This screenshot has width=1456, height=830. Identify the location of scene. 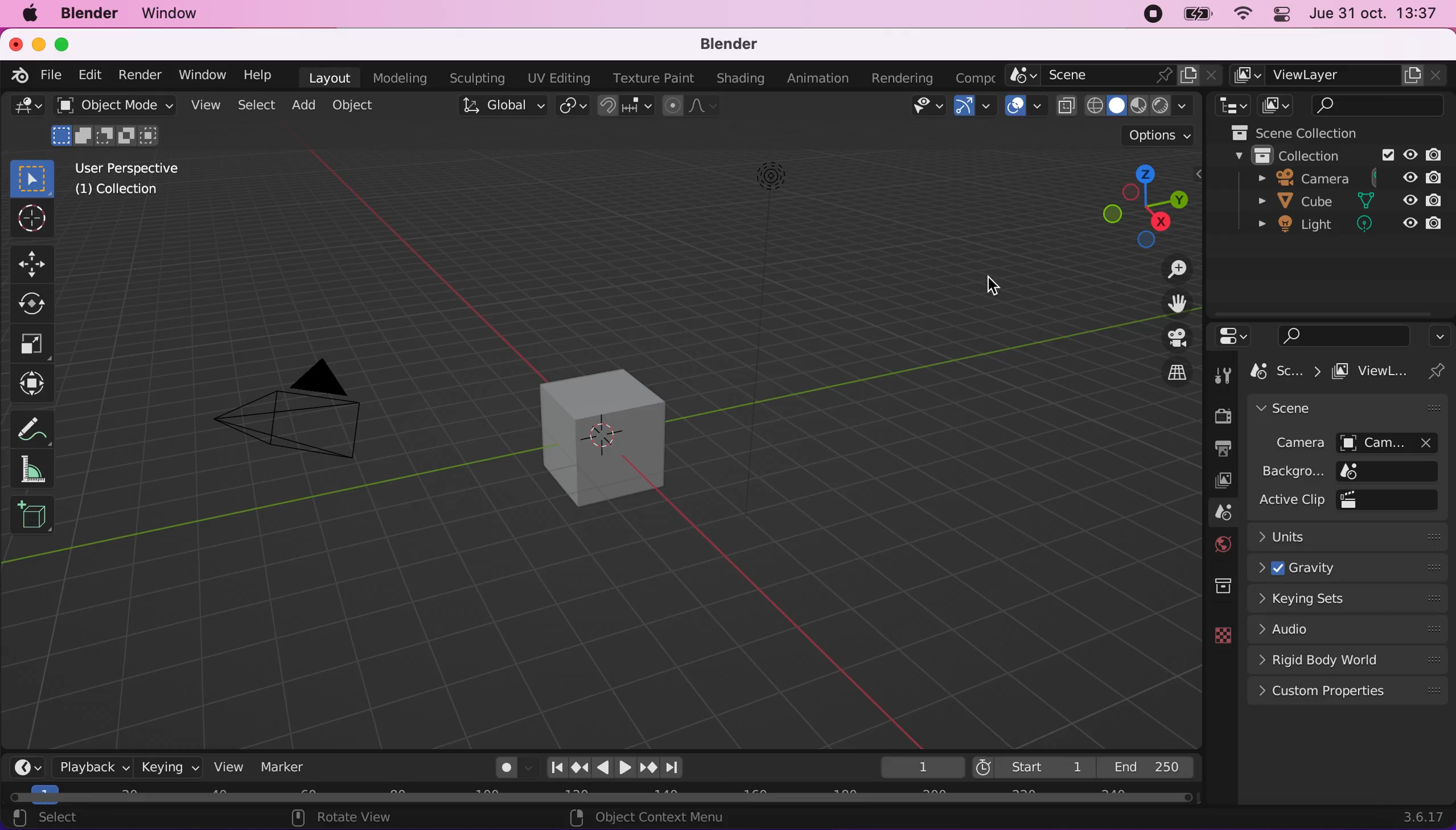
(1116, 75).